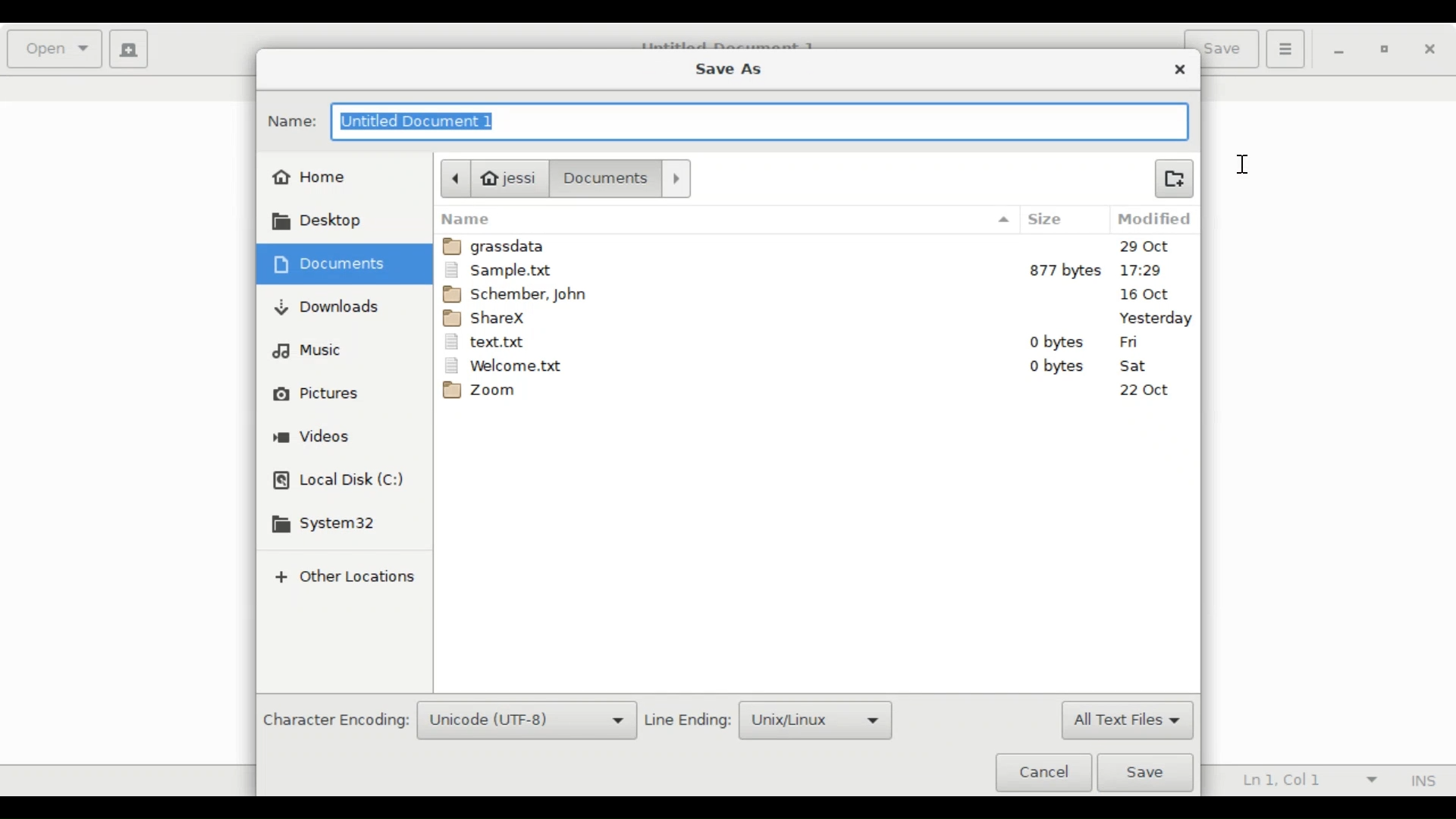  Describe the element at coordinates (815, 366) in the screenshot. I see `Welcome.txt 0 bytes Sat` at that location.